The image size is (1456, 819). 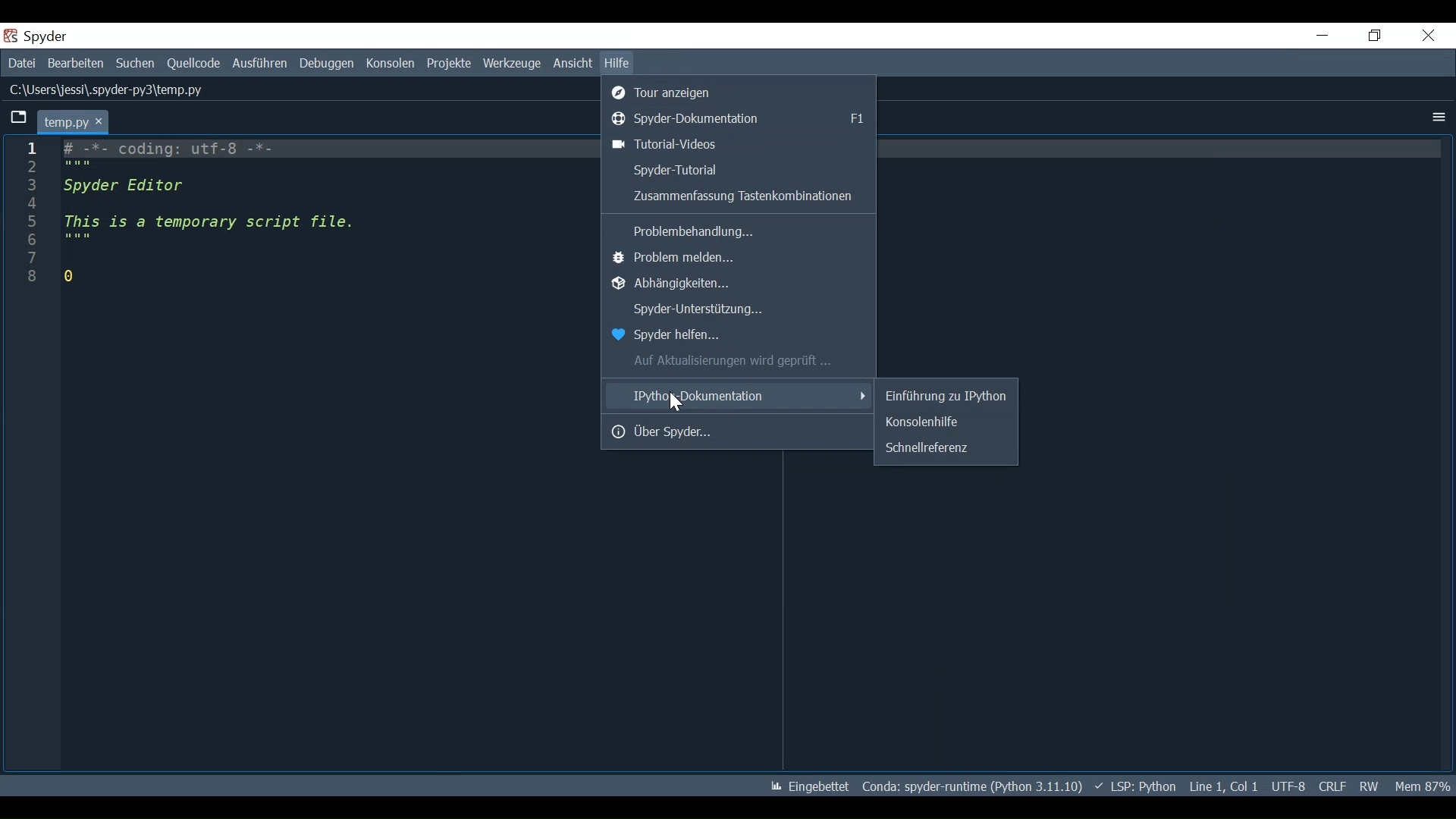 I want to click on Tutorial Videos, so click(x=739, y=144).